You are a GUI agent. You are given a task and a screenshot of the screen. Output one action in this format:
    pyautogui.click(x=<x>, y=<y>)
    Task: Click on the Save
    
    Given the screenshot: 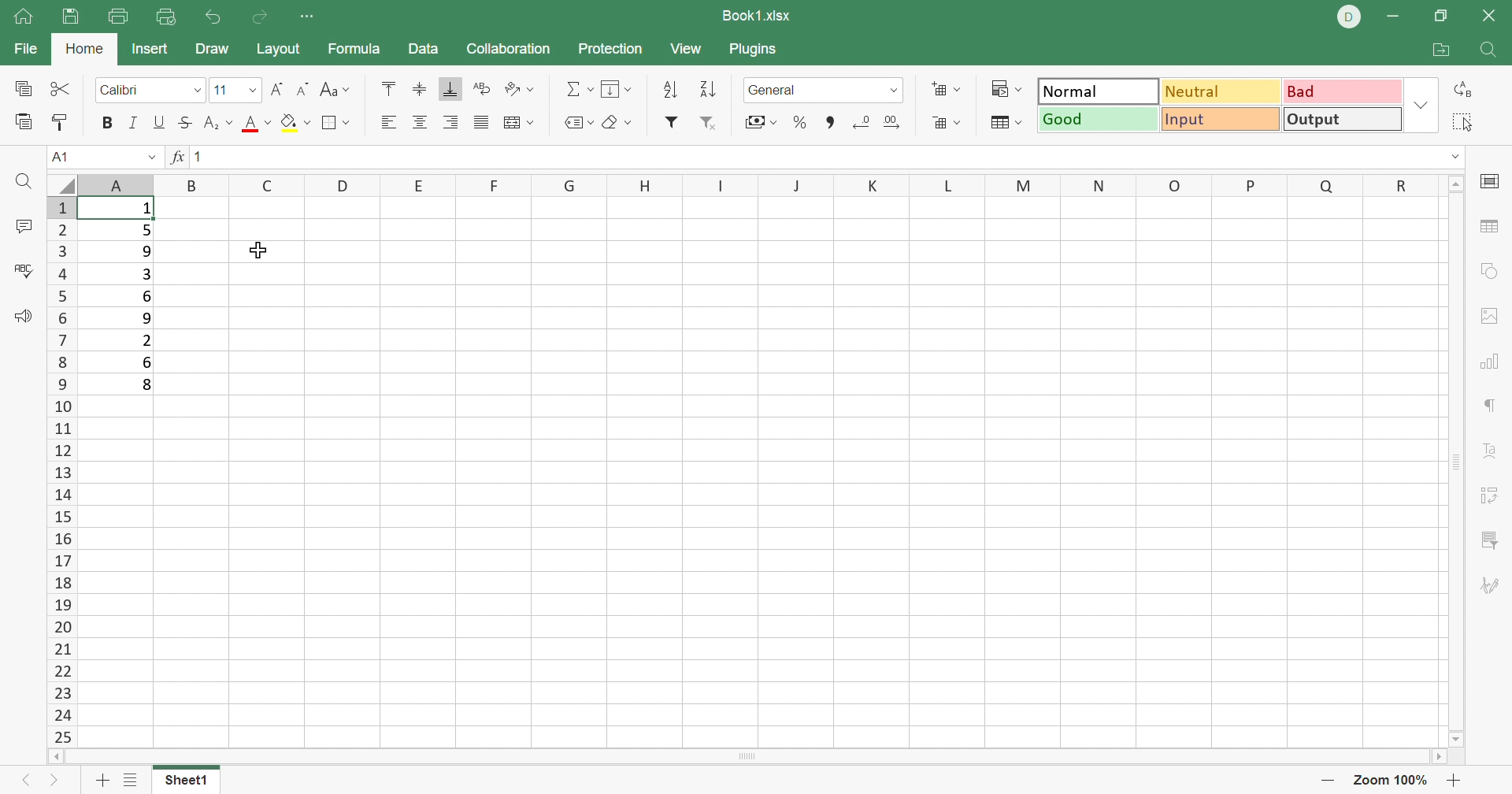 What is the action you would take?
    pyautogui.click(x=75, y=17)
    